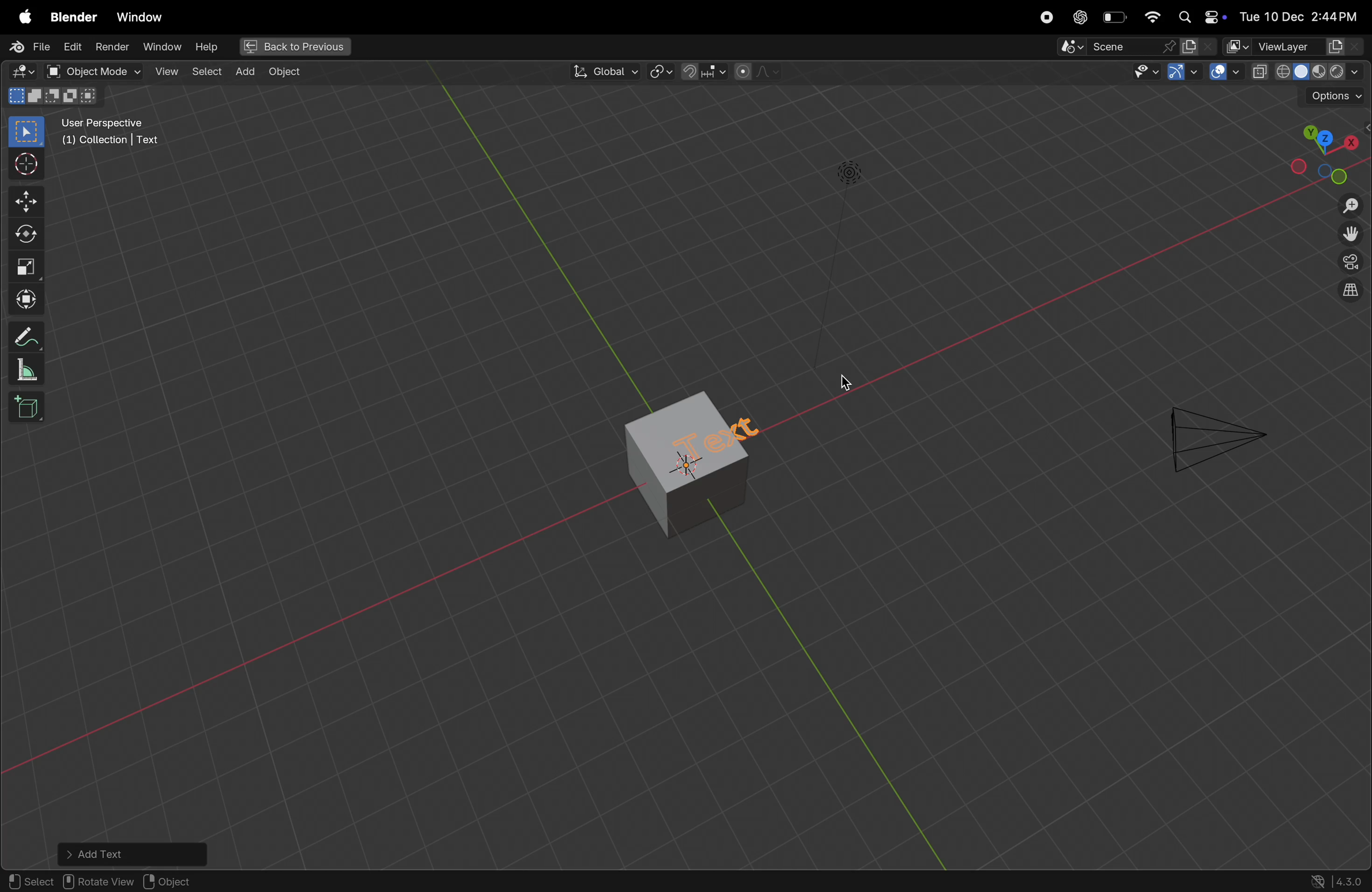 This screenshot has width=1372, height=892. Describe the element at coordinates (295, 47) in the screenshot. I see `Back previous` at that location.